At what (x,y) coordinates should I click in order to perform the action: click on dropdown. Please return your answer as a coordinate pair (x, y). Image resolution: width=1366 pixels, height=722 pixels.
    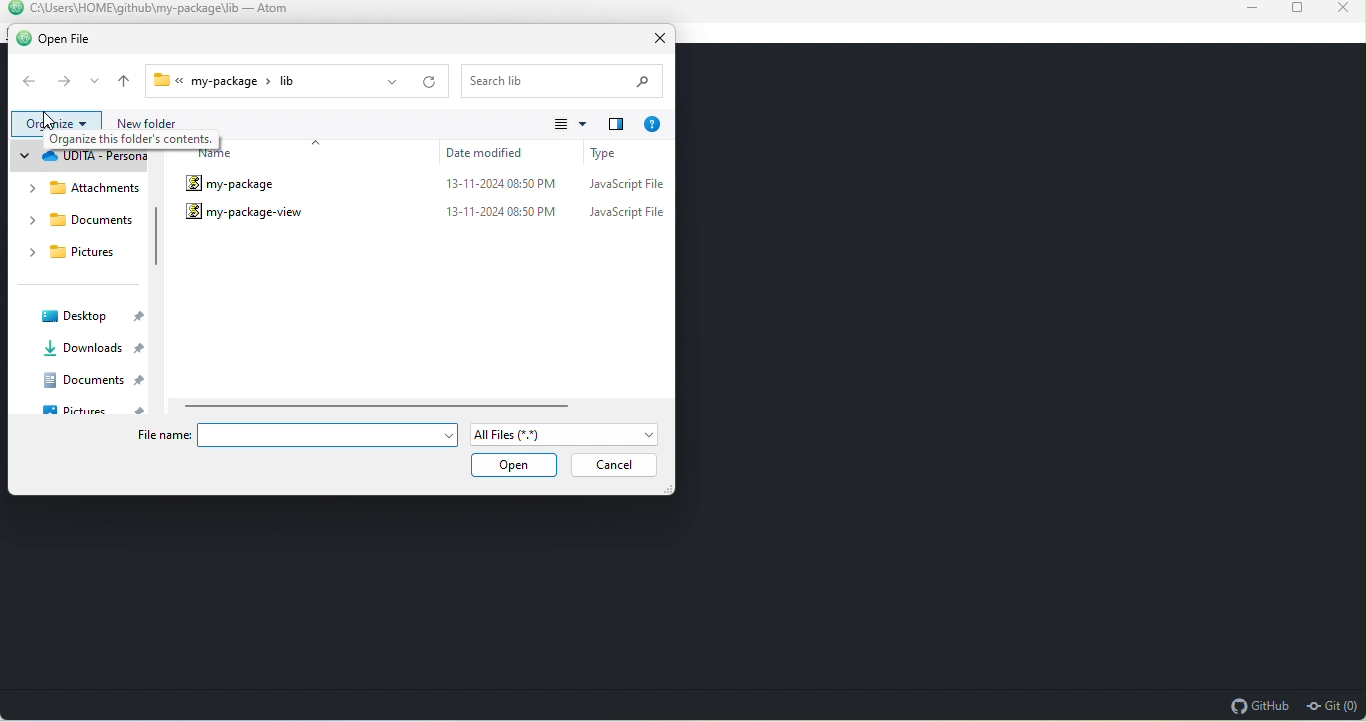
    Looking at the image, I should click on (391, 83).